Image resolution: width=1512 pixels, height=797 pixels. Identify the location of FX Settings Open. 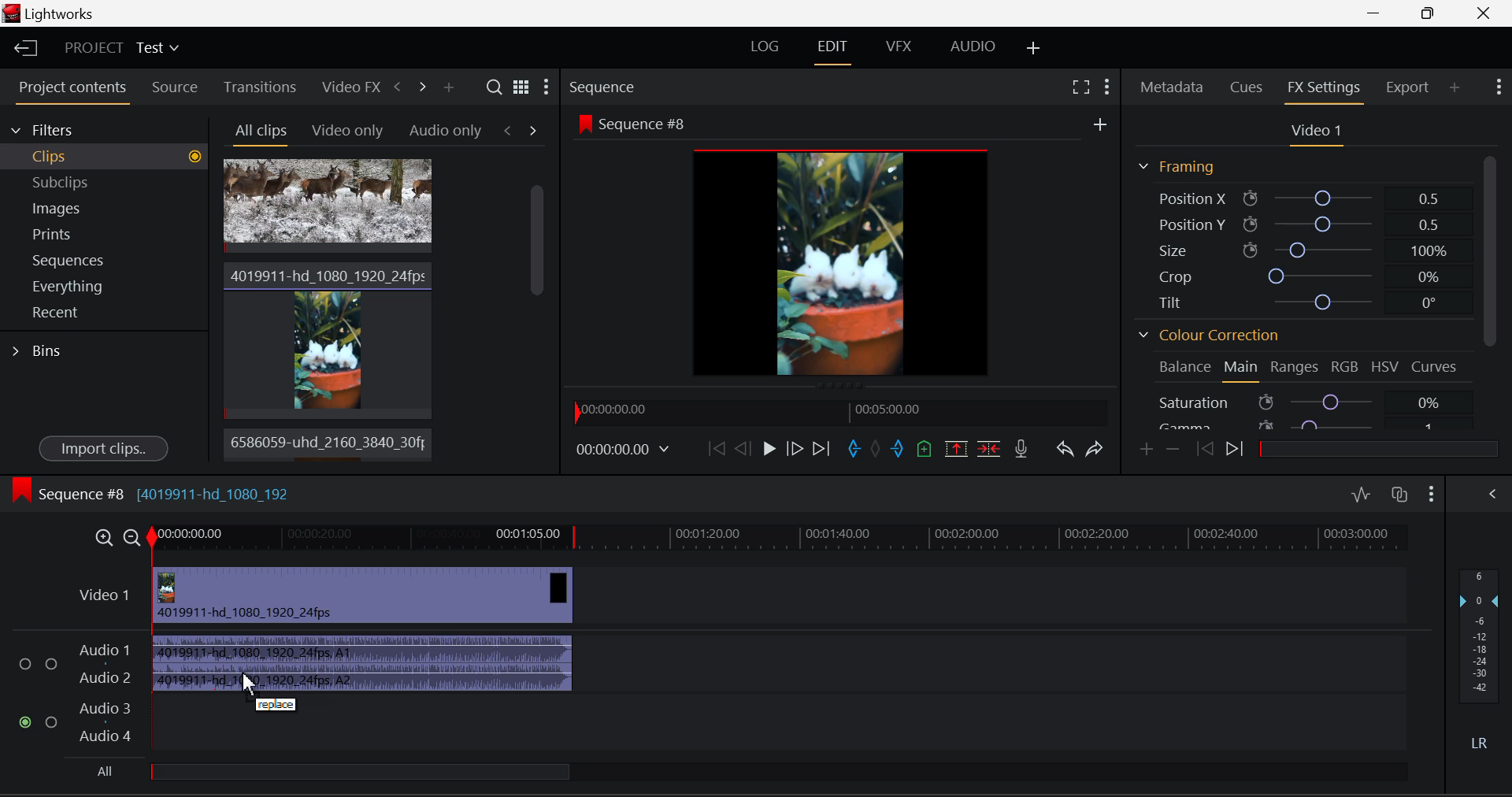
(1326, 89).